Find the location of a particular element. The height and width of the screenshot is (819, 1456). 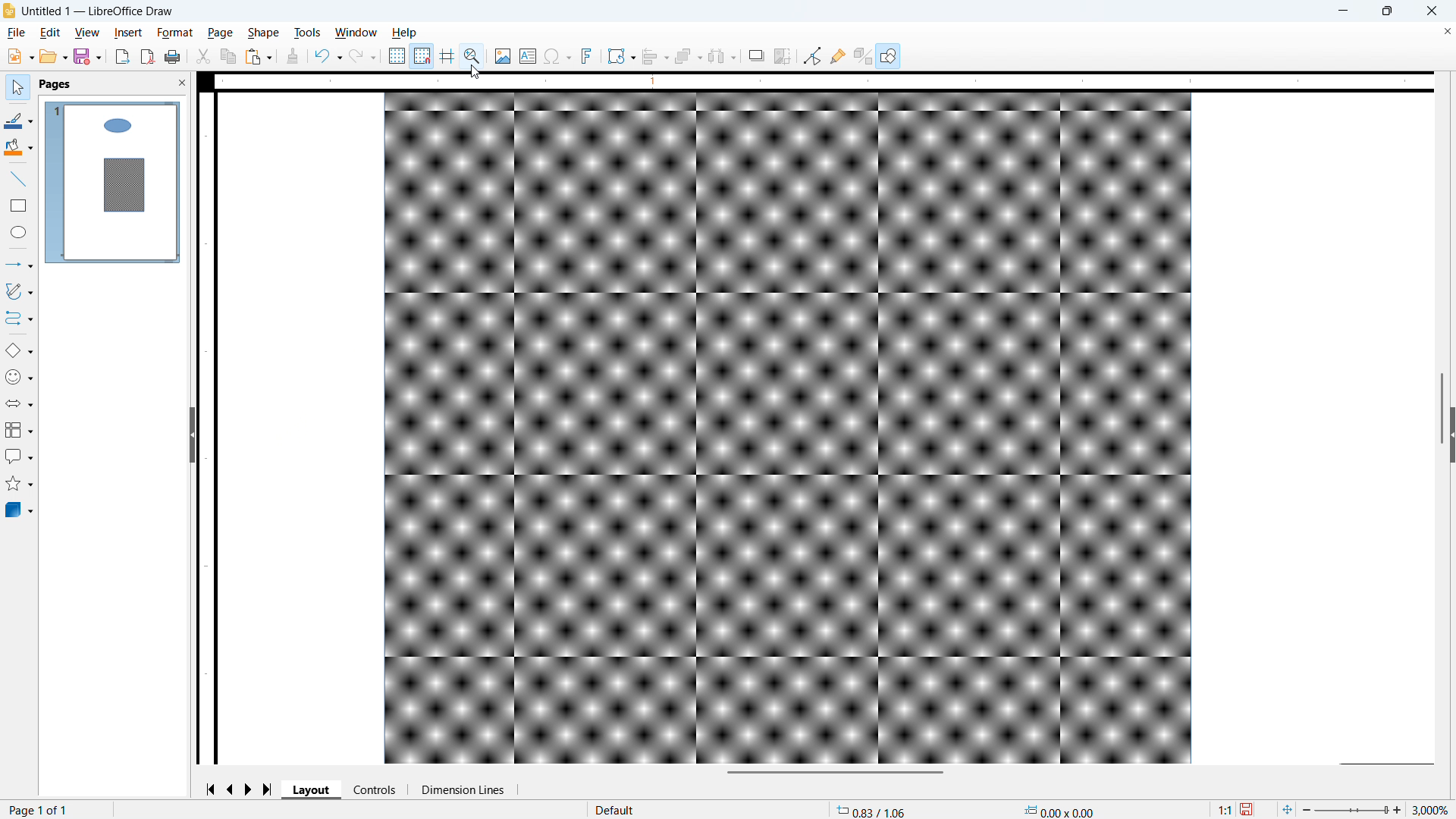

Export as PDF  is located at coordinates (147, 57).